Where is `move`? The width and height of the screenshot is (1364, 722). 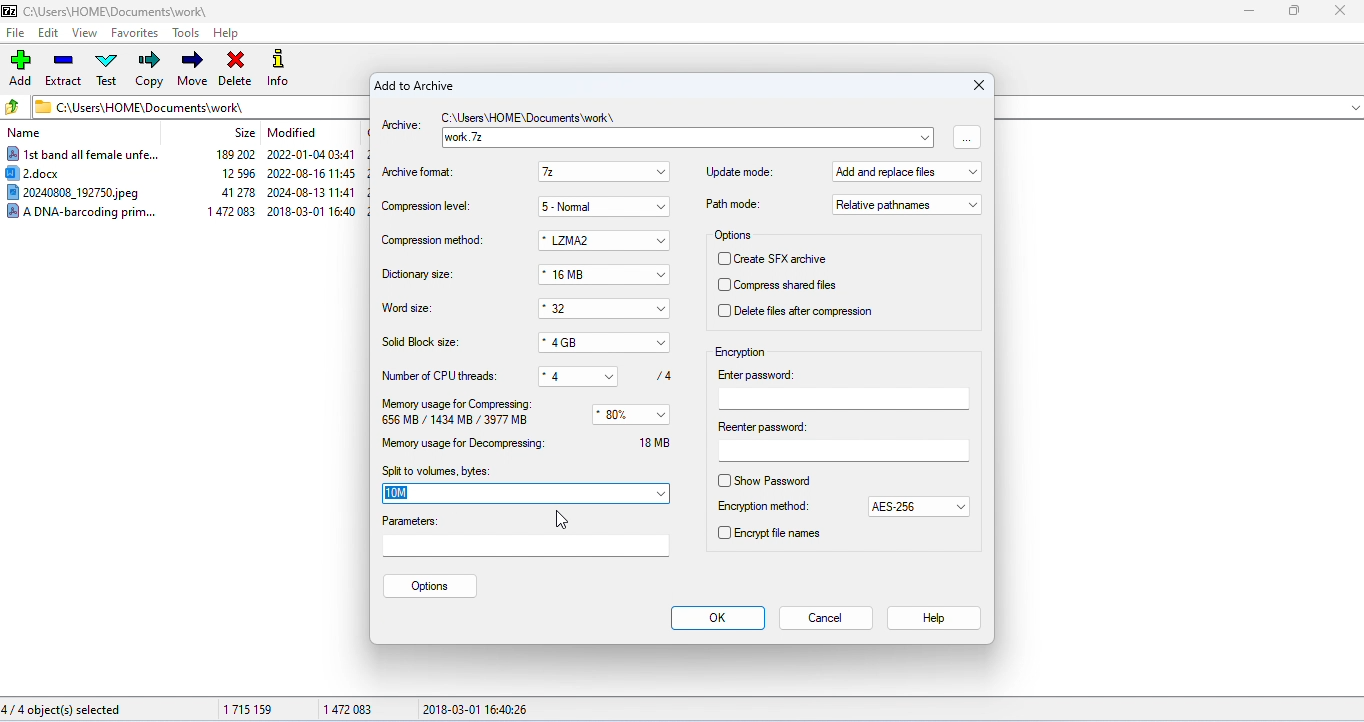
move is located at coordinates (192, 69).